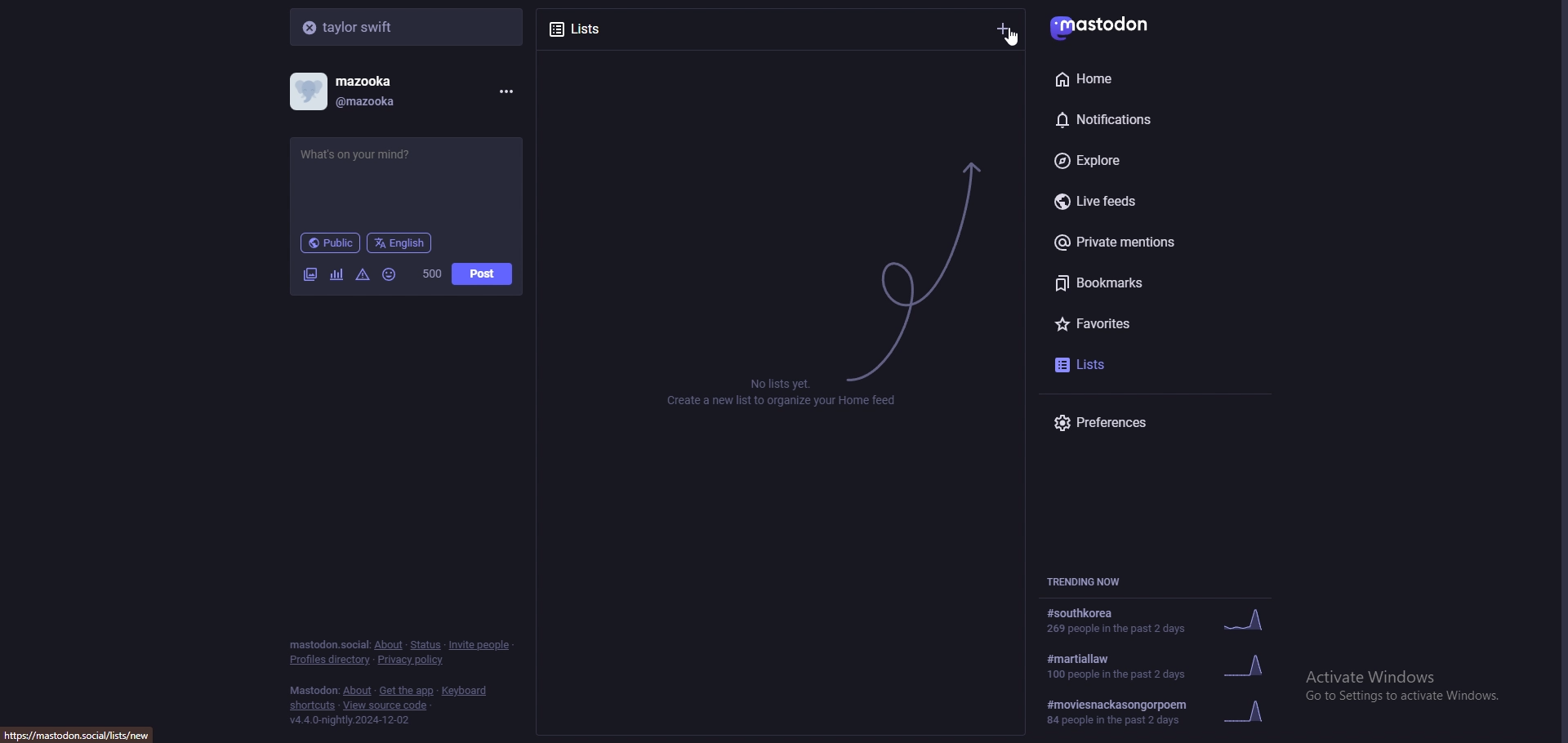 The image size is (1568, 743). I want to click on version, so click(349, 720).